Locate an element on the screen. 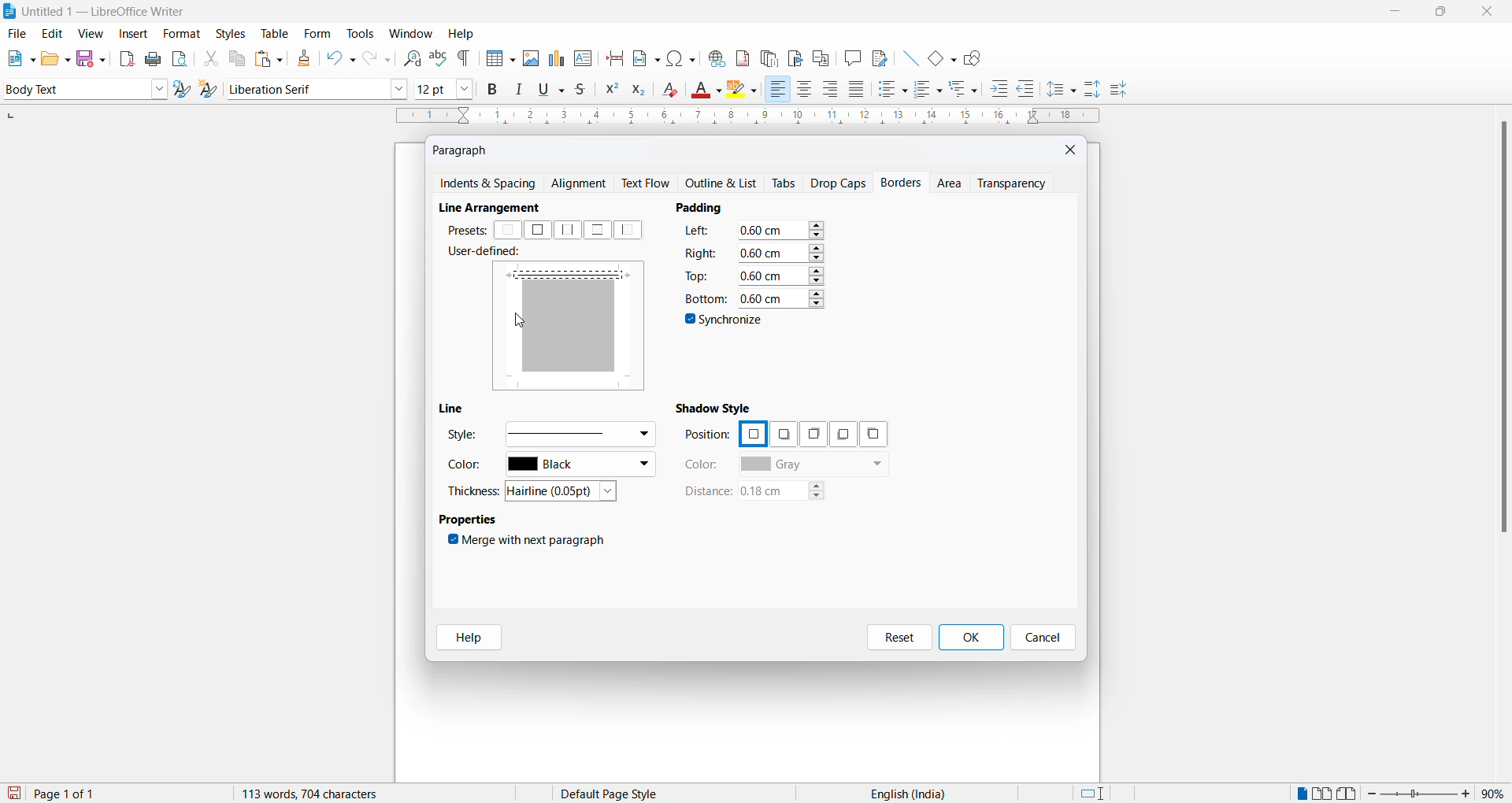  ok is located at coordinates (970, 638).